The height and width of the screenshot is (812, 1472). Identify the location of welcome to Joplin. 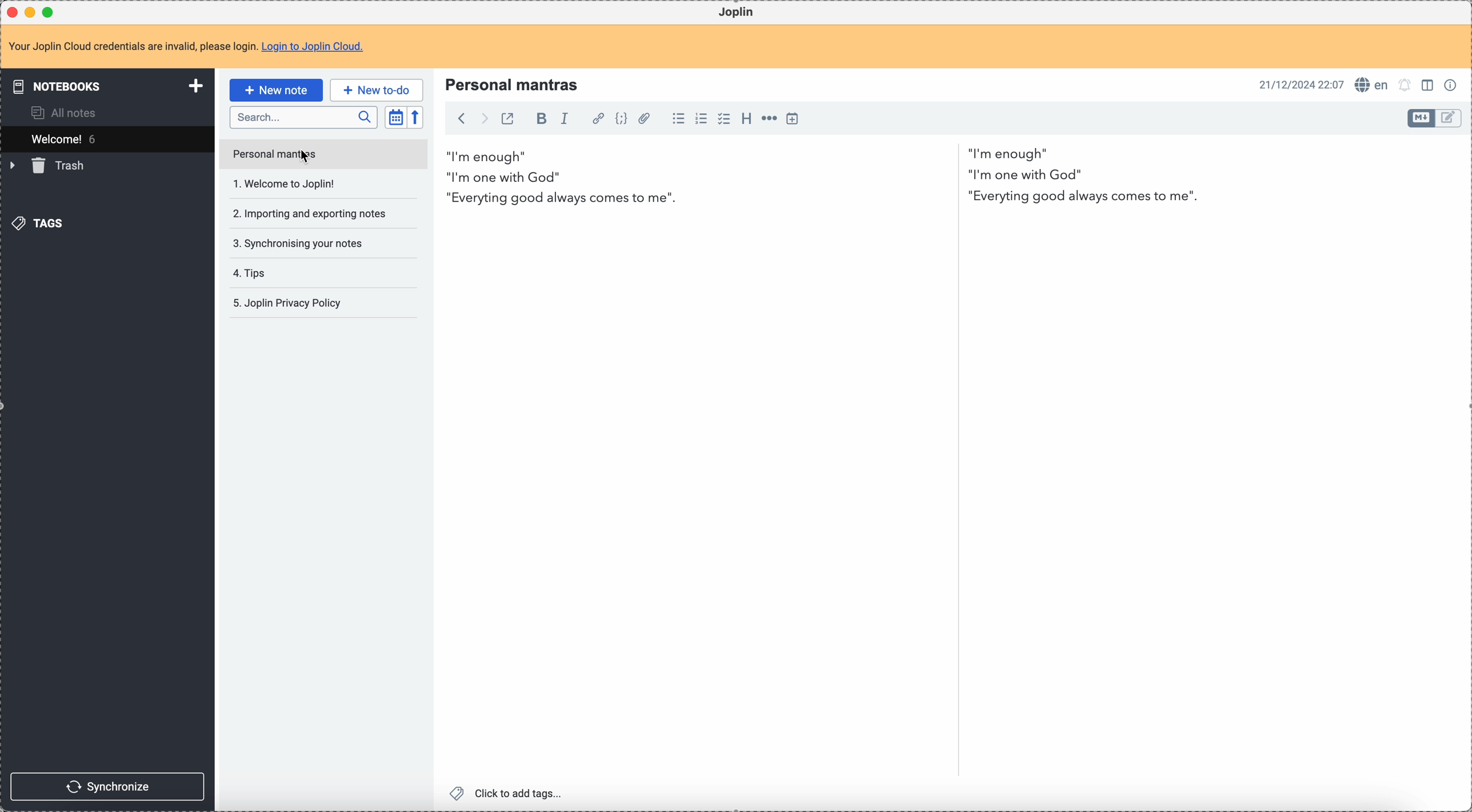
(286, 183).